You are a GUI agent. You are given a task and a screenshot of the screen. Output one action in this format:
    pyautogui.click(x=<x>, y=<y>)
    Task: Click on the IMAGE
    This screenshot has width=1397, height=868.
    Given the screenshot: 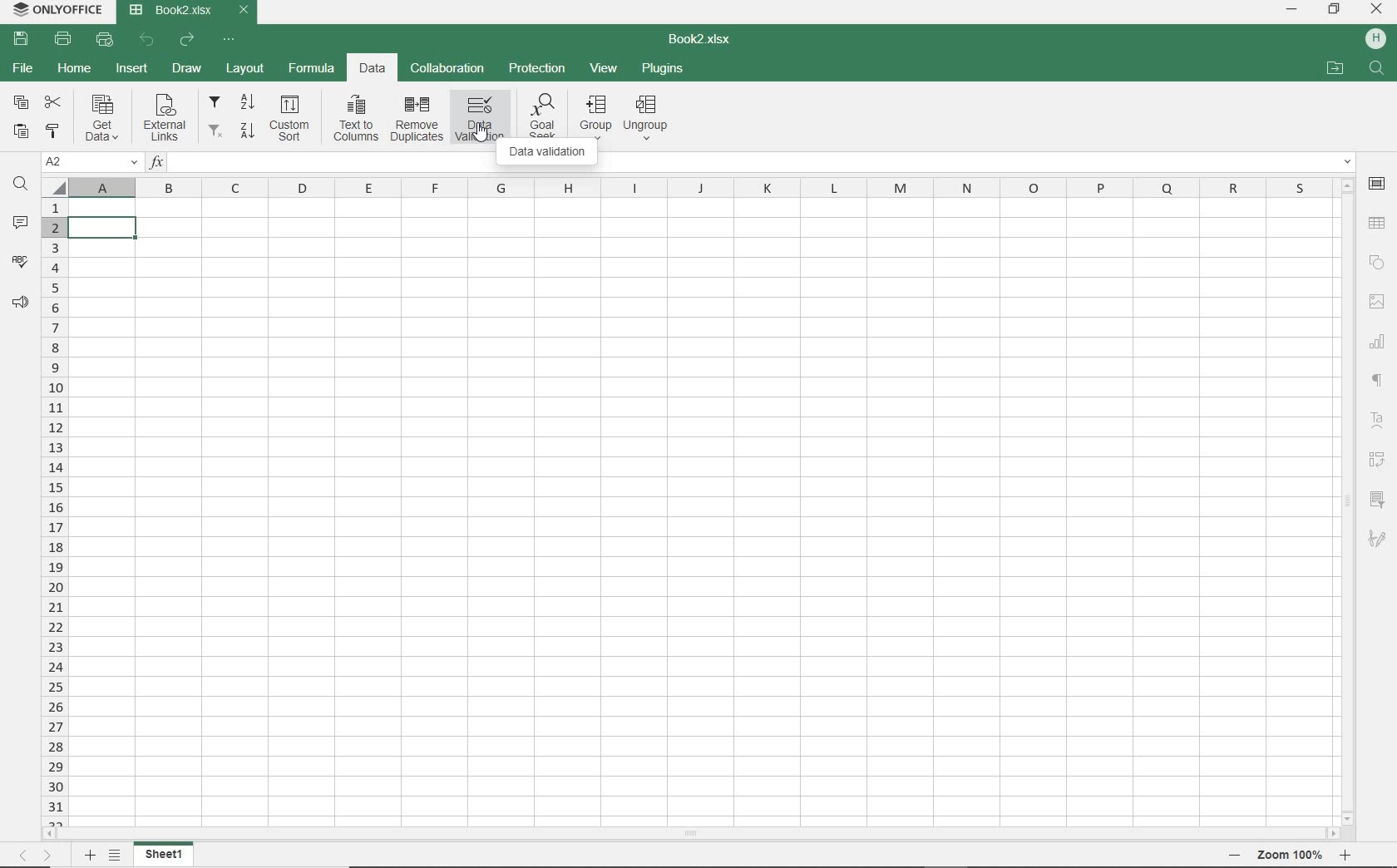 What is the action you would take?
    pyautogui.click(x=1377, y=301)
    